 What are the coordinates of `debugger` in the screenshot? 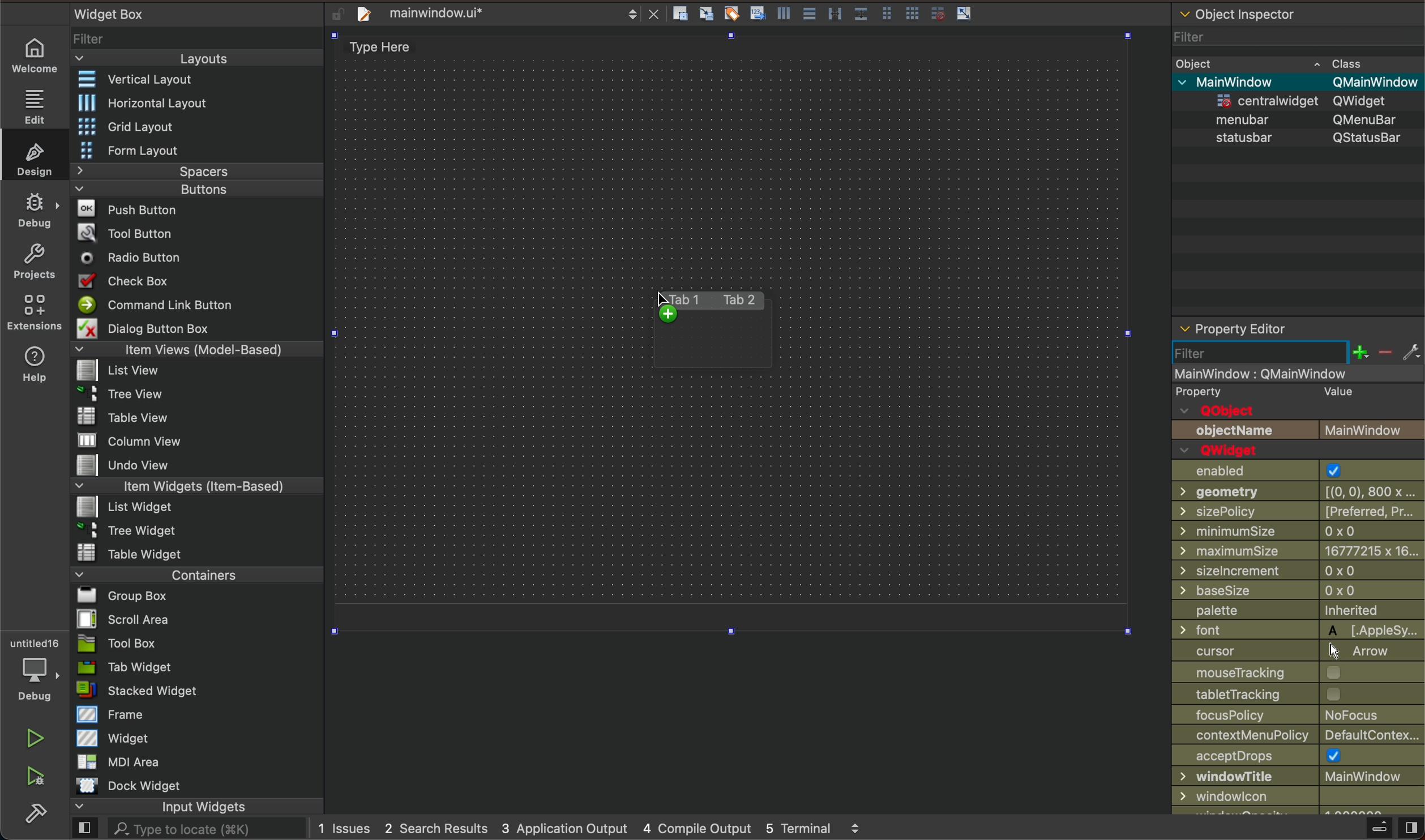 It's located at (32, 666).